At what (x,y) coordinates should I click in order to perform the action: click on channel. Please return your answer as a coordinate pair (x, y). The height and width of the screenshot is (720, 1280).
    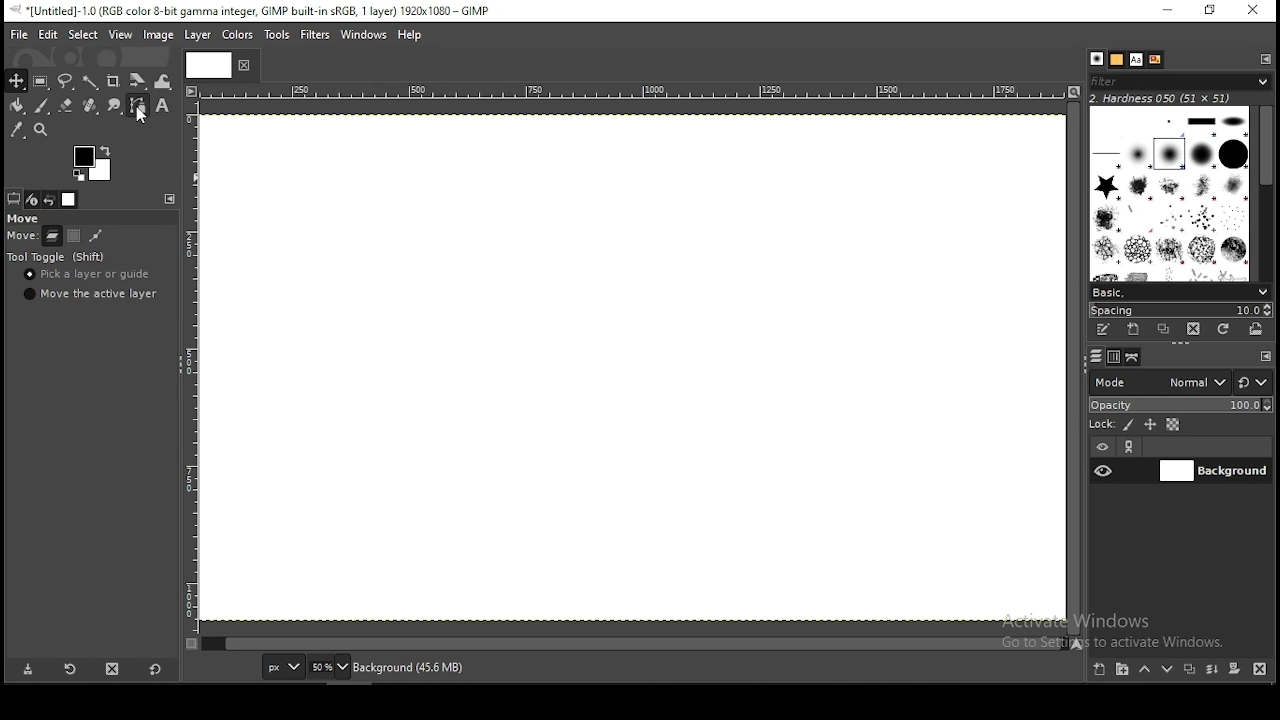
    Looking at the image, I should click on (1113, 356).